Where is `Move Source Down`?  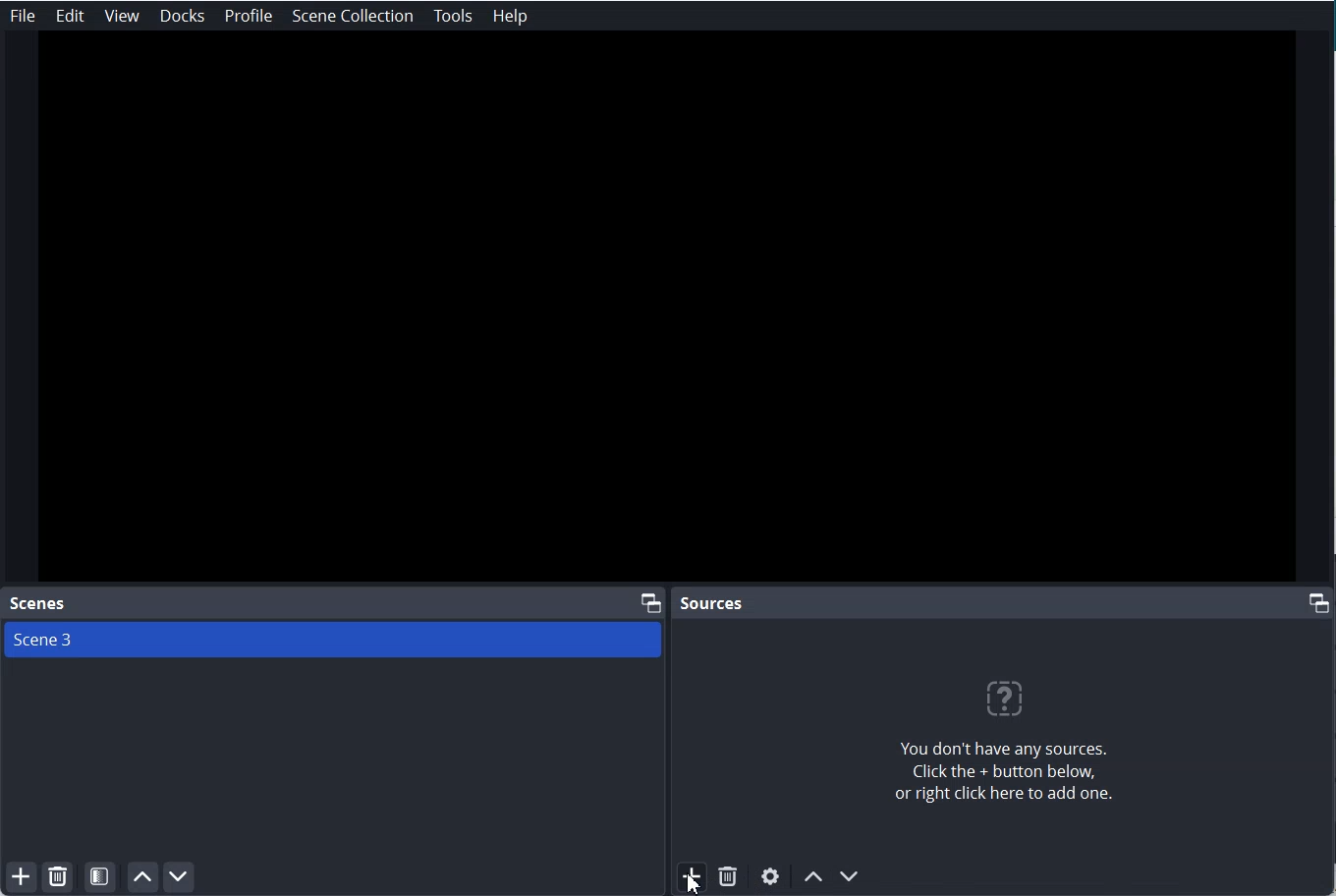 Move Source Down is located at coordinates (850, 875).